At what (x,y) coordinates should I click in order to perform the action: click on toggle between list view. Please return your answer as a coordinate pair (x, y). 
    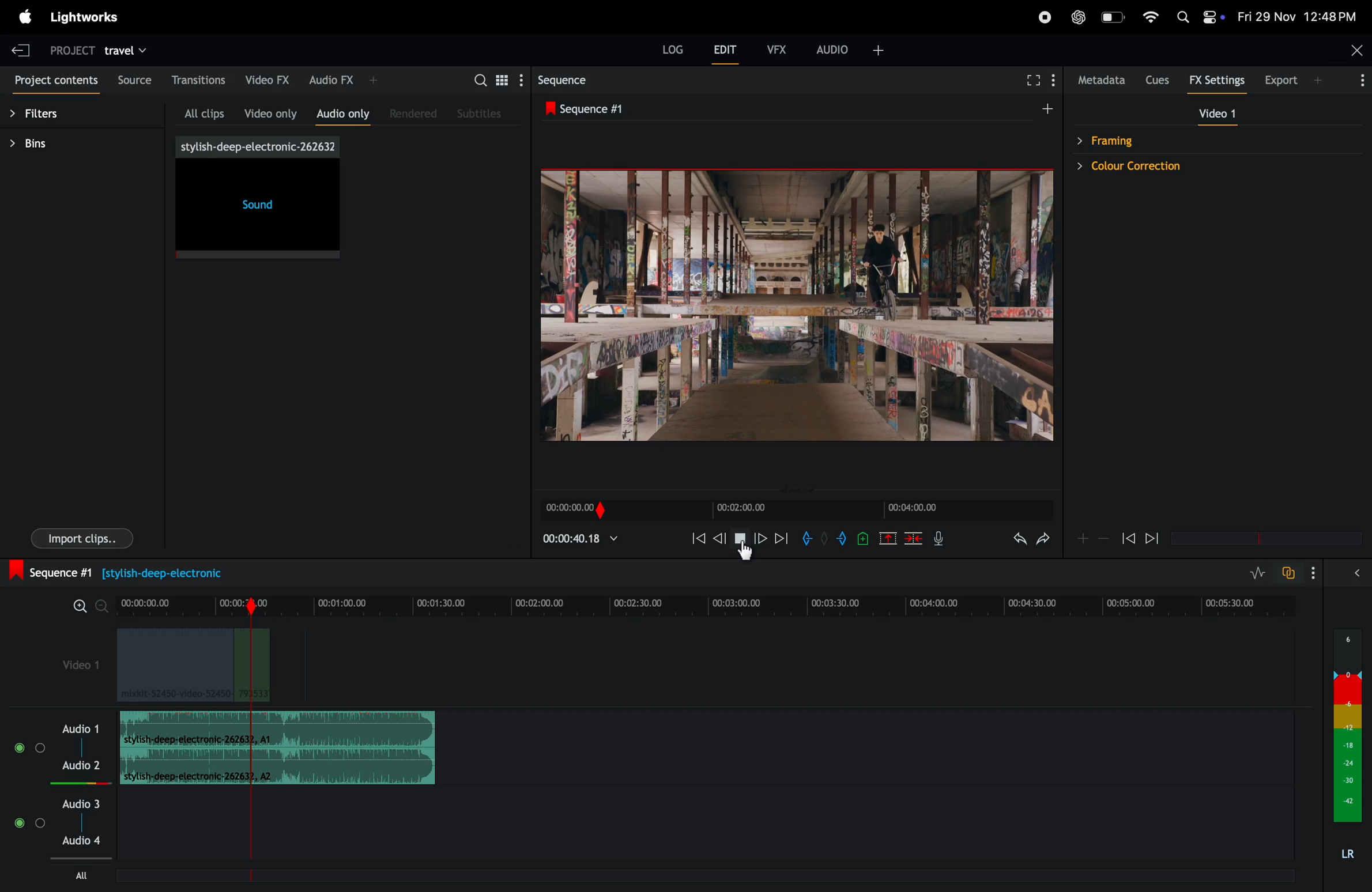
    Looking at the image, I should click on (499, 79).